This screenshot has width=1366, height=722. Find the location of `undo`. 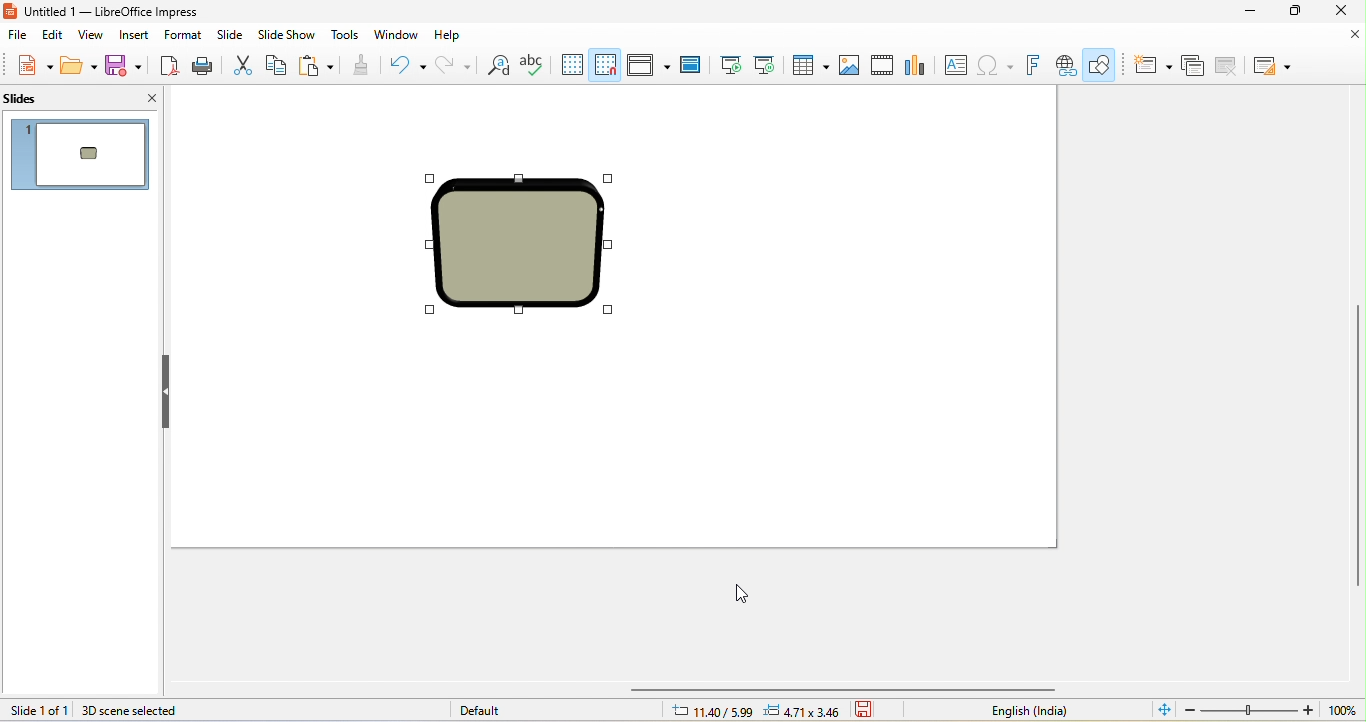

undo is located at coordinates (404, 64).